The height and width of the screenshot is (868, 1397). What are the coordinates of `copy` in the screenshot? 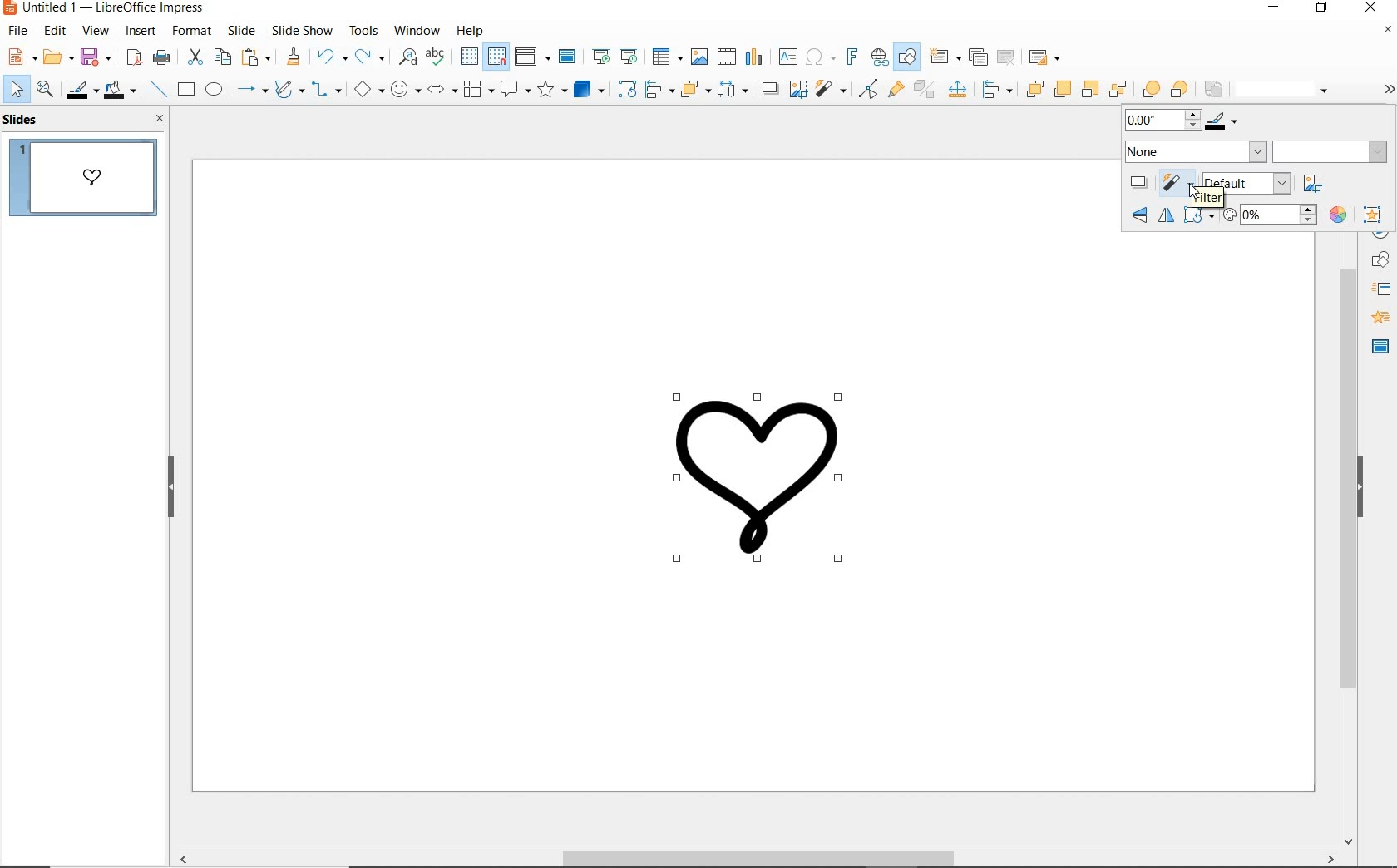 It's located at (221, 57).